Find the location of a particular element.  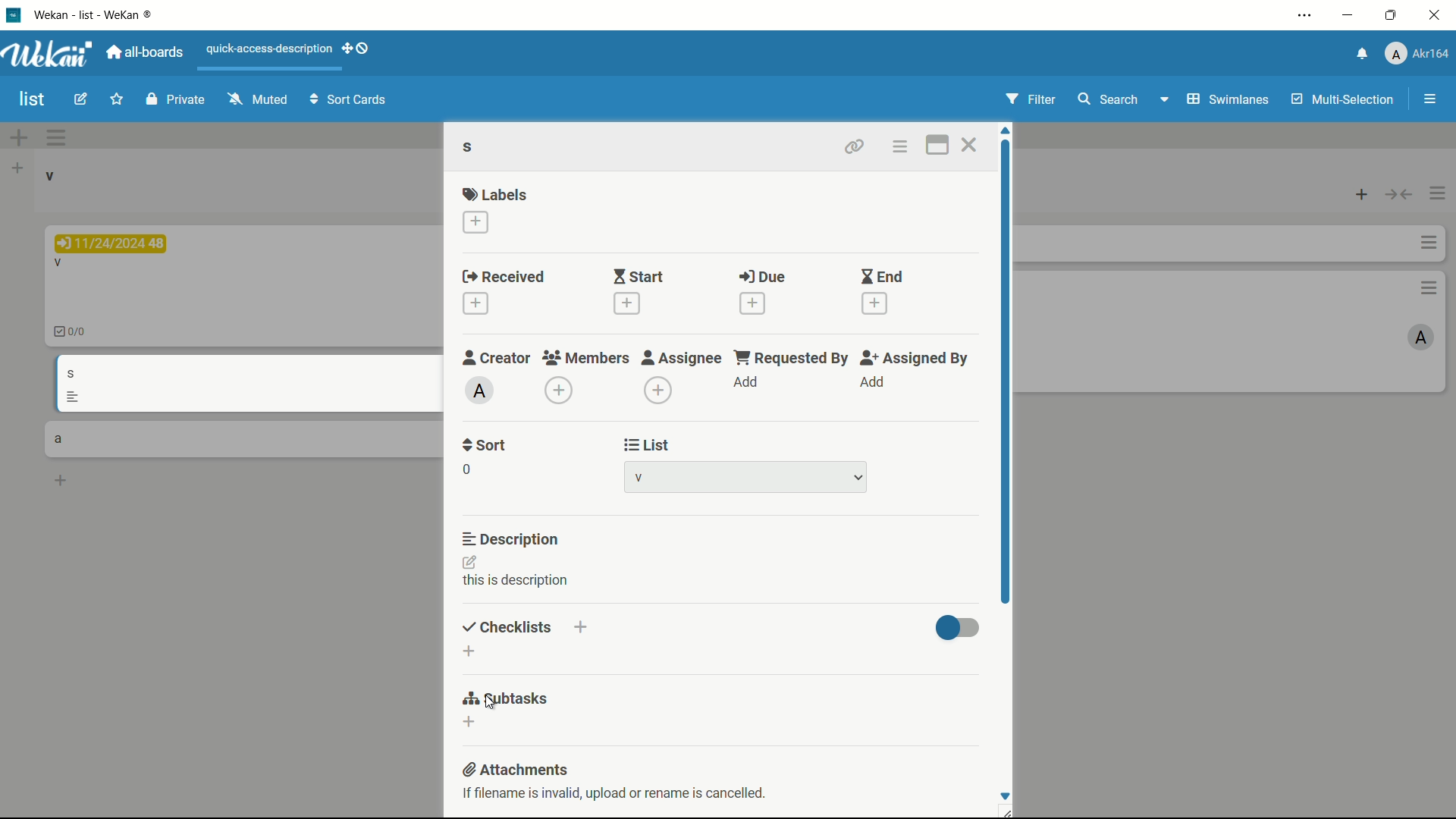

quick-access-description is located at coordinates (269, 49).